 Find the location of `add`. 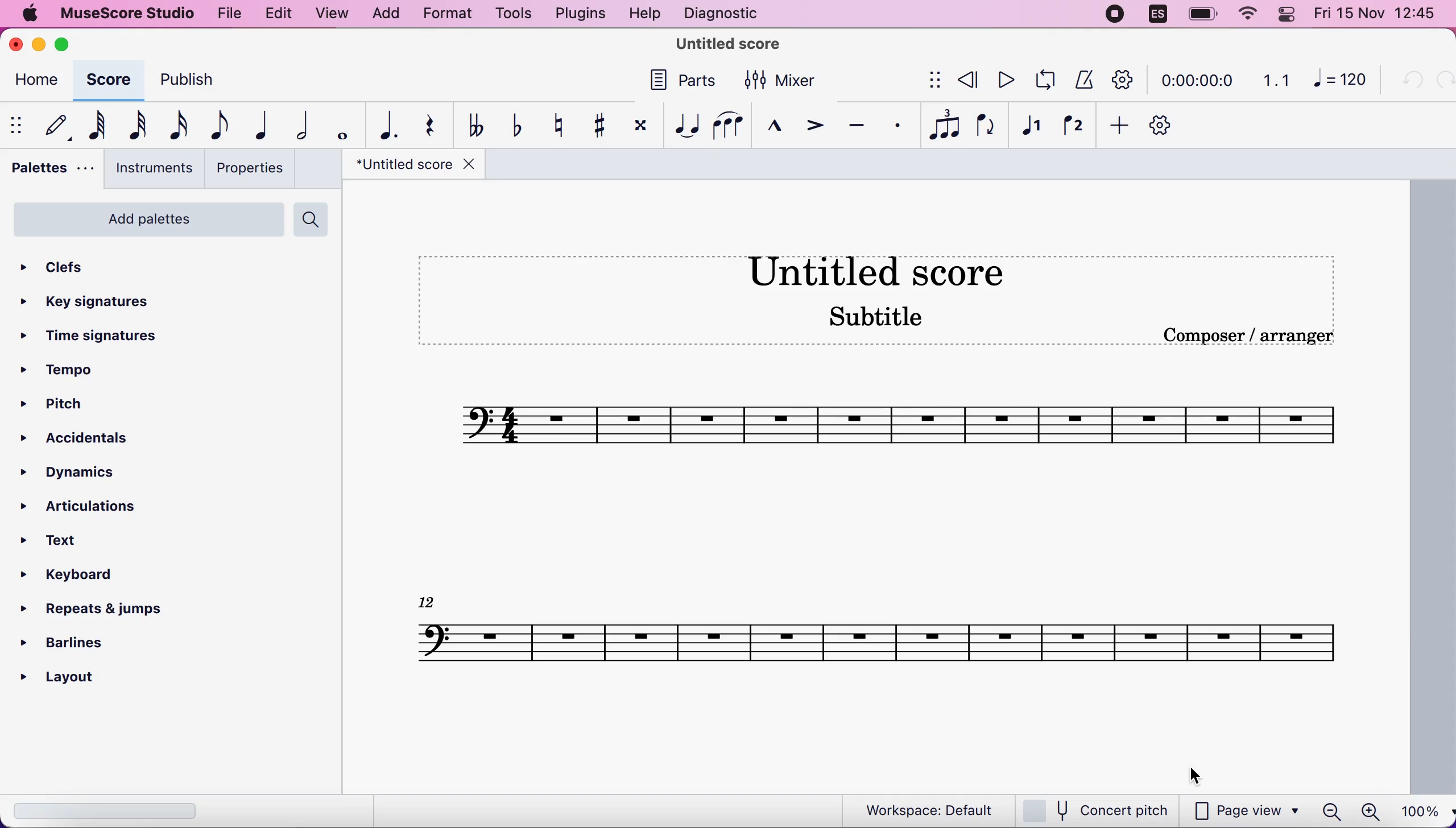

add is located at coordinates (1118, 124).